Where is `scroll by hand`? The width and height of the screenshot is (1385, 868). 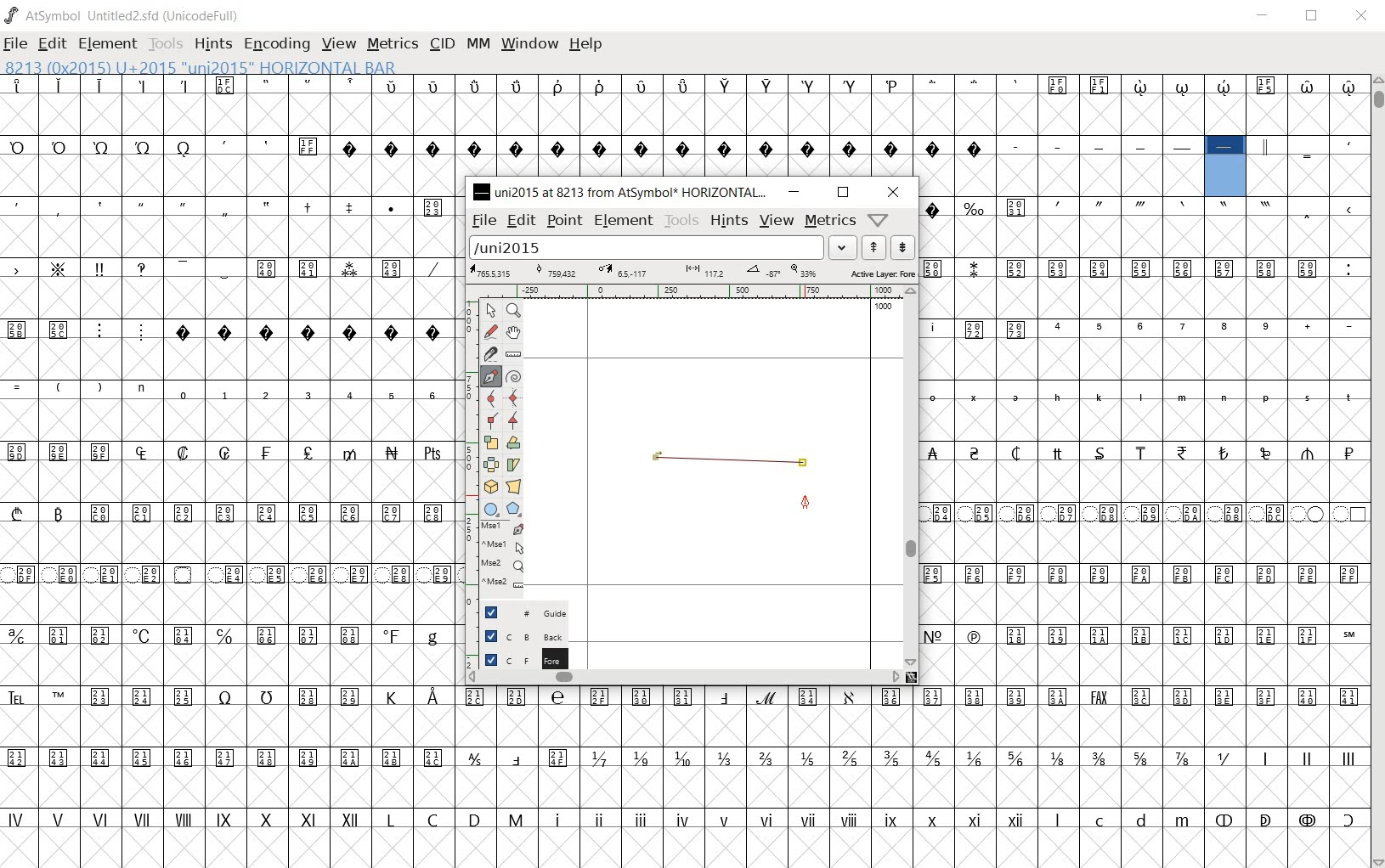 scroll by hand is located at coordinates (512, 332).